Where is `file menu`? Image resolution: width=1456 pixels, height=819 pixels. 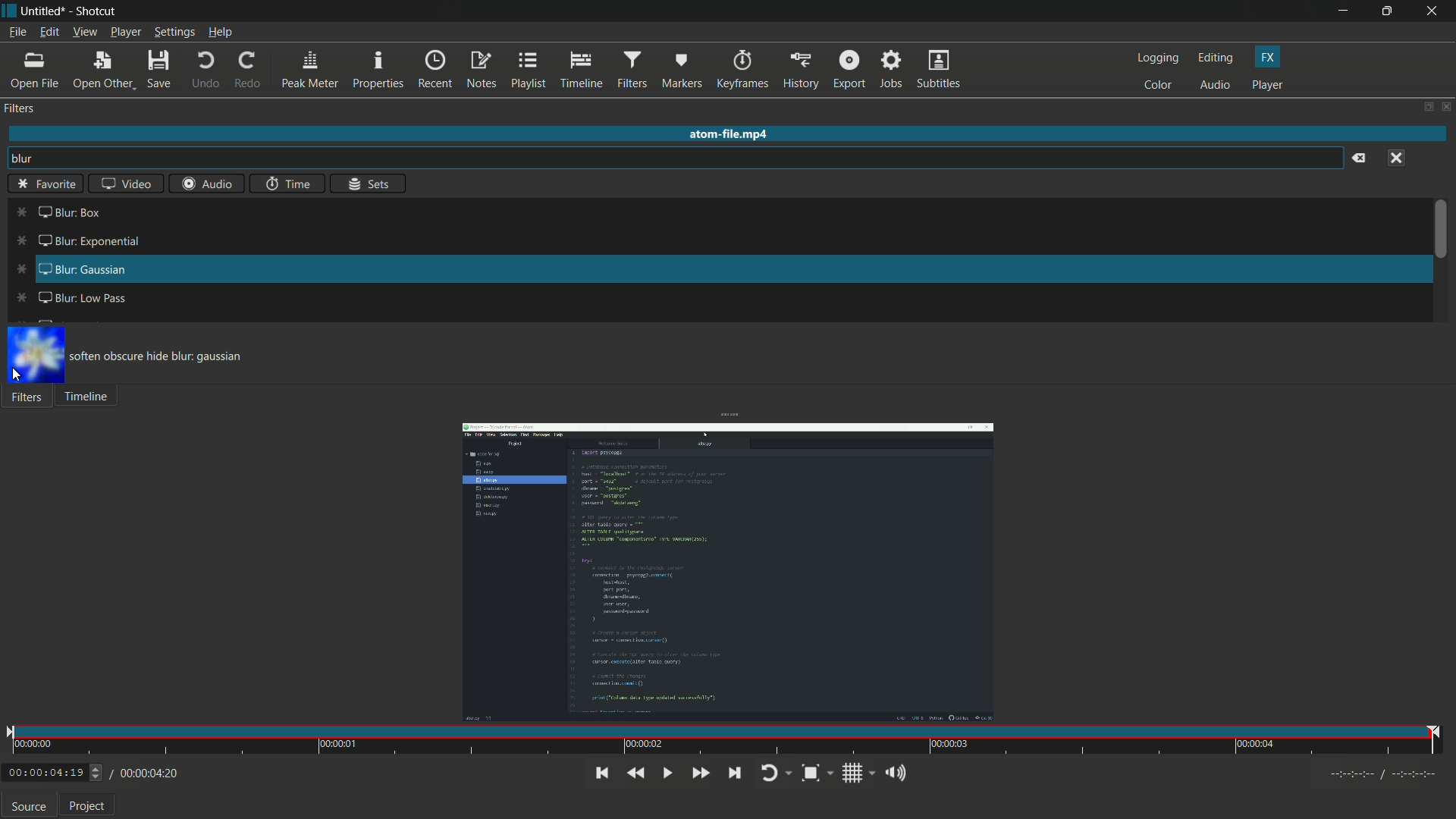 file menu is located at coordinates (17, 34).